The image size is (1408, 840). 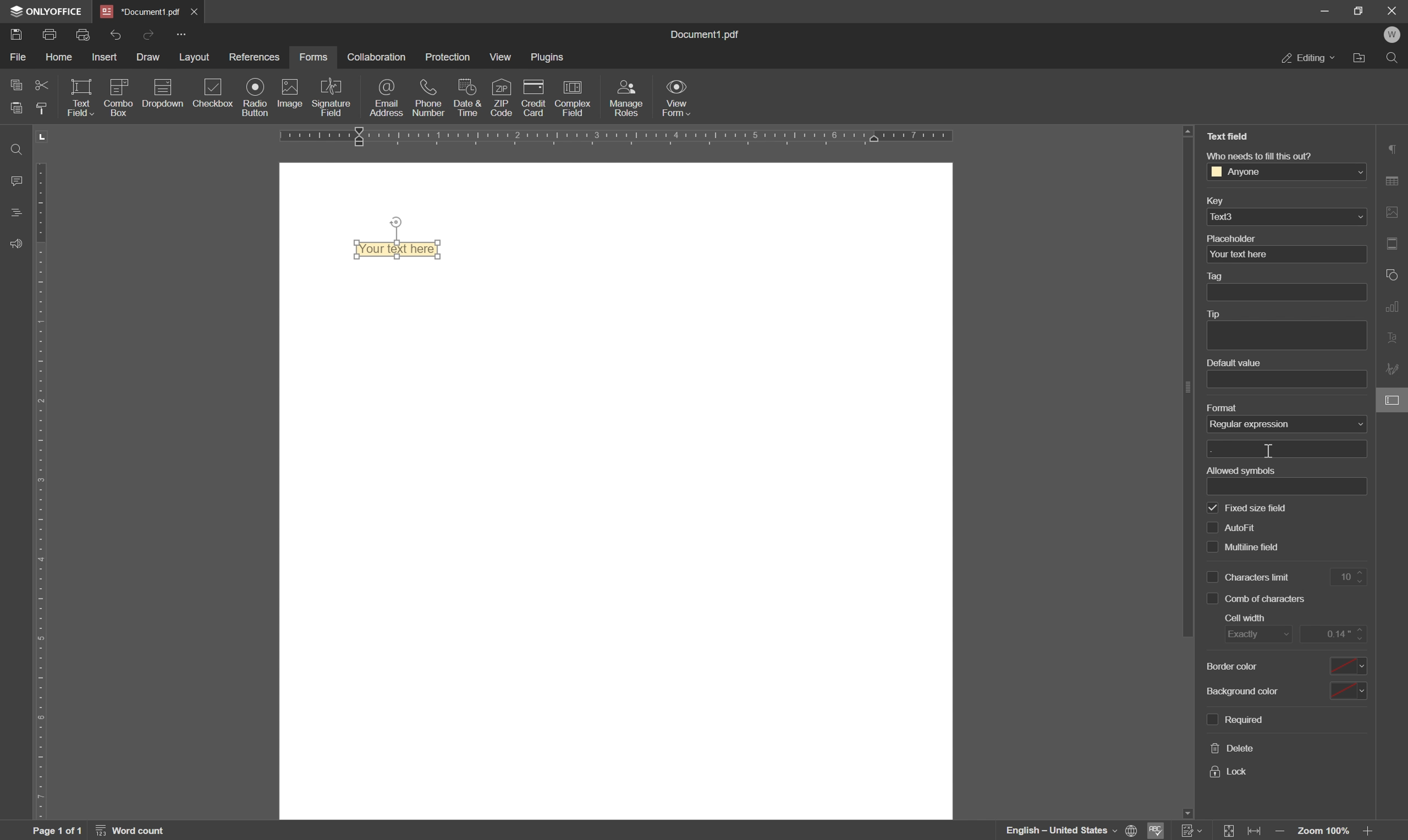 What do you see at coordinates (1231, 363) in the screenshot?
I see `default value` at bounding box center [1231, 363].